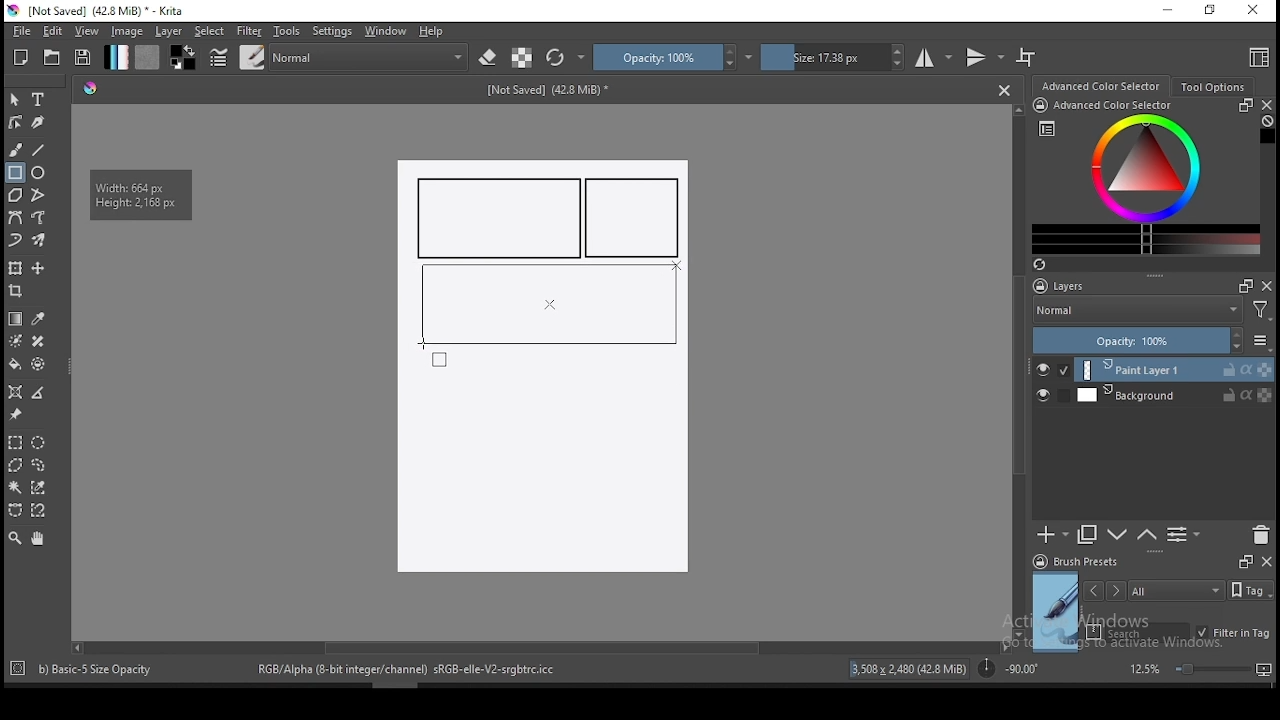  What do you see at coordinates (99, 11) in the screenshot?
I see `icon and file name` at bounding box center [99, 11].